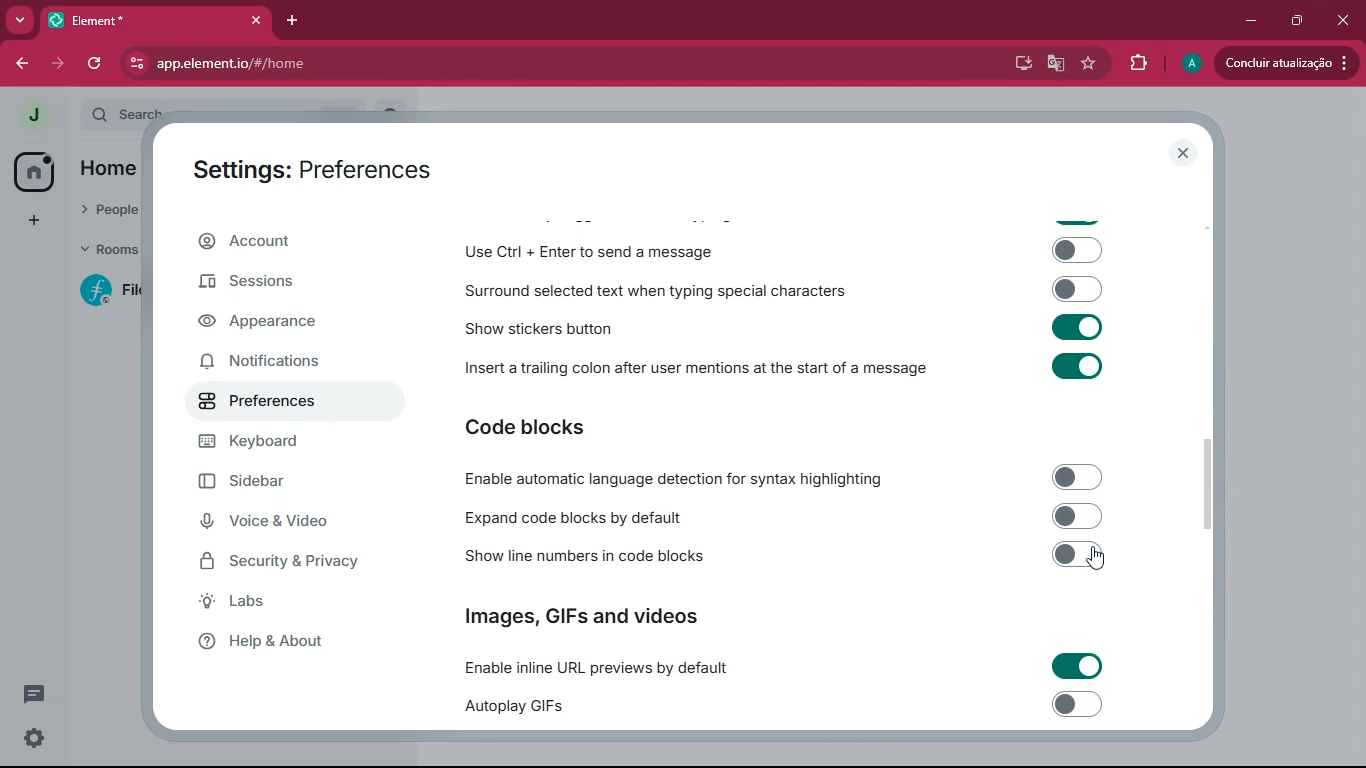  I want to click on minimize, so click(1253, 22).